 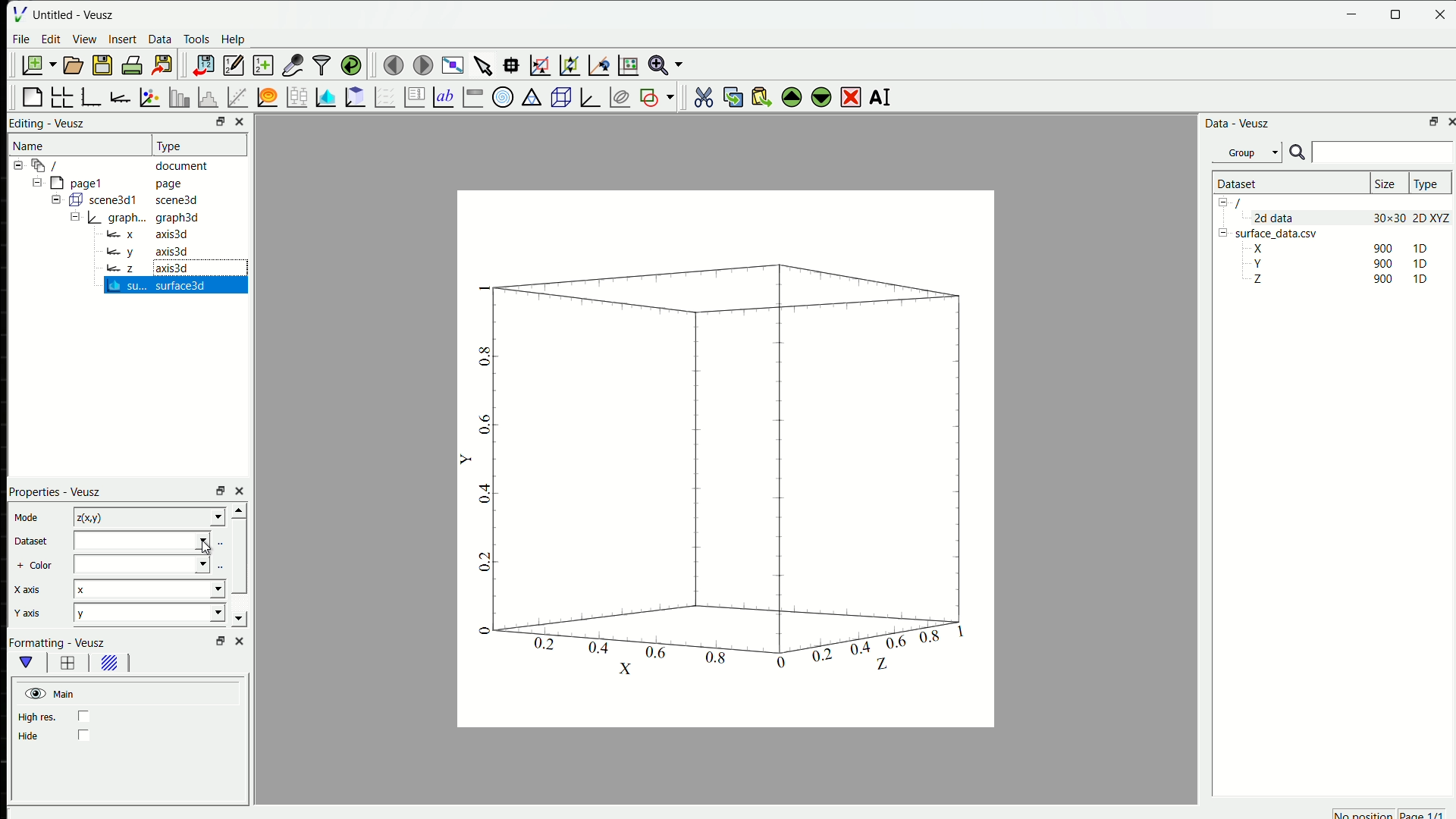 I want to click on print, so click(x=132, y=64).